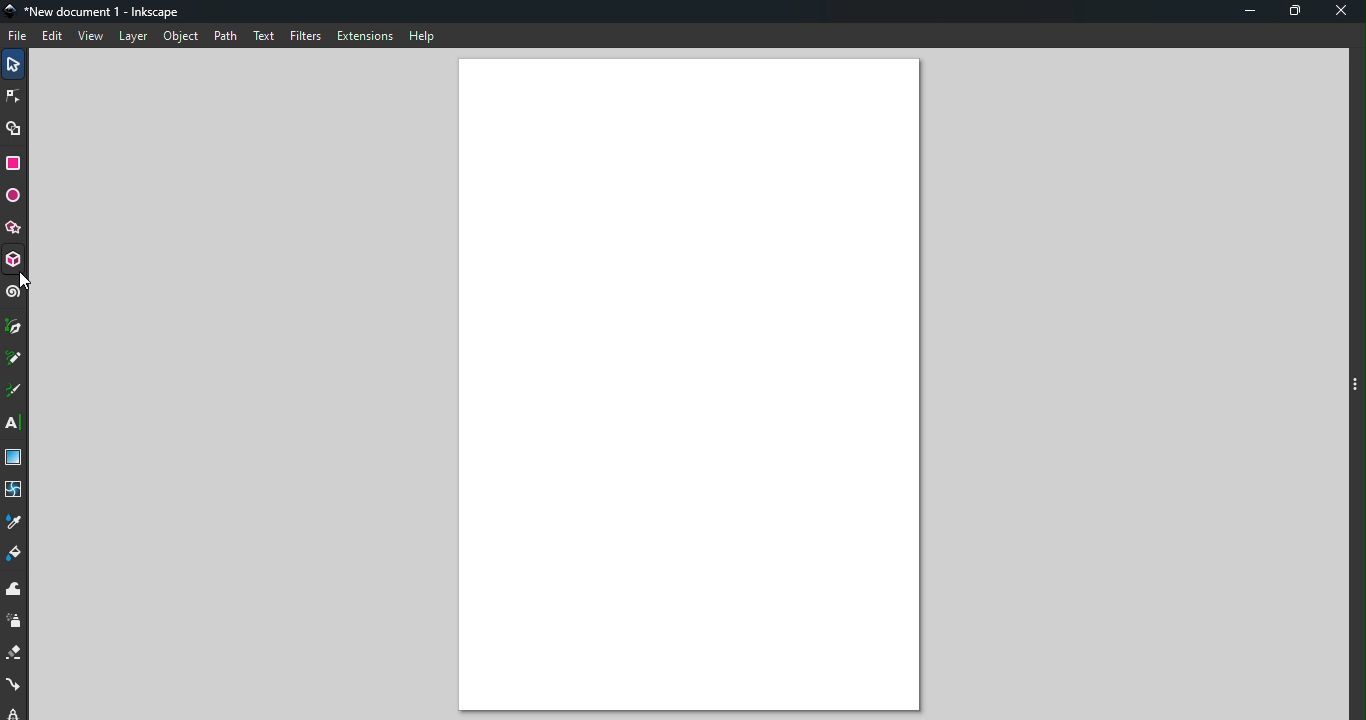 Image resolution: width=1366 pixels, height=720 pixels. What do you see at coordinates (688, 386) in the screenshot?
I see `Canvas` at bounding box center [688, 386].